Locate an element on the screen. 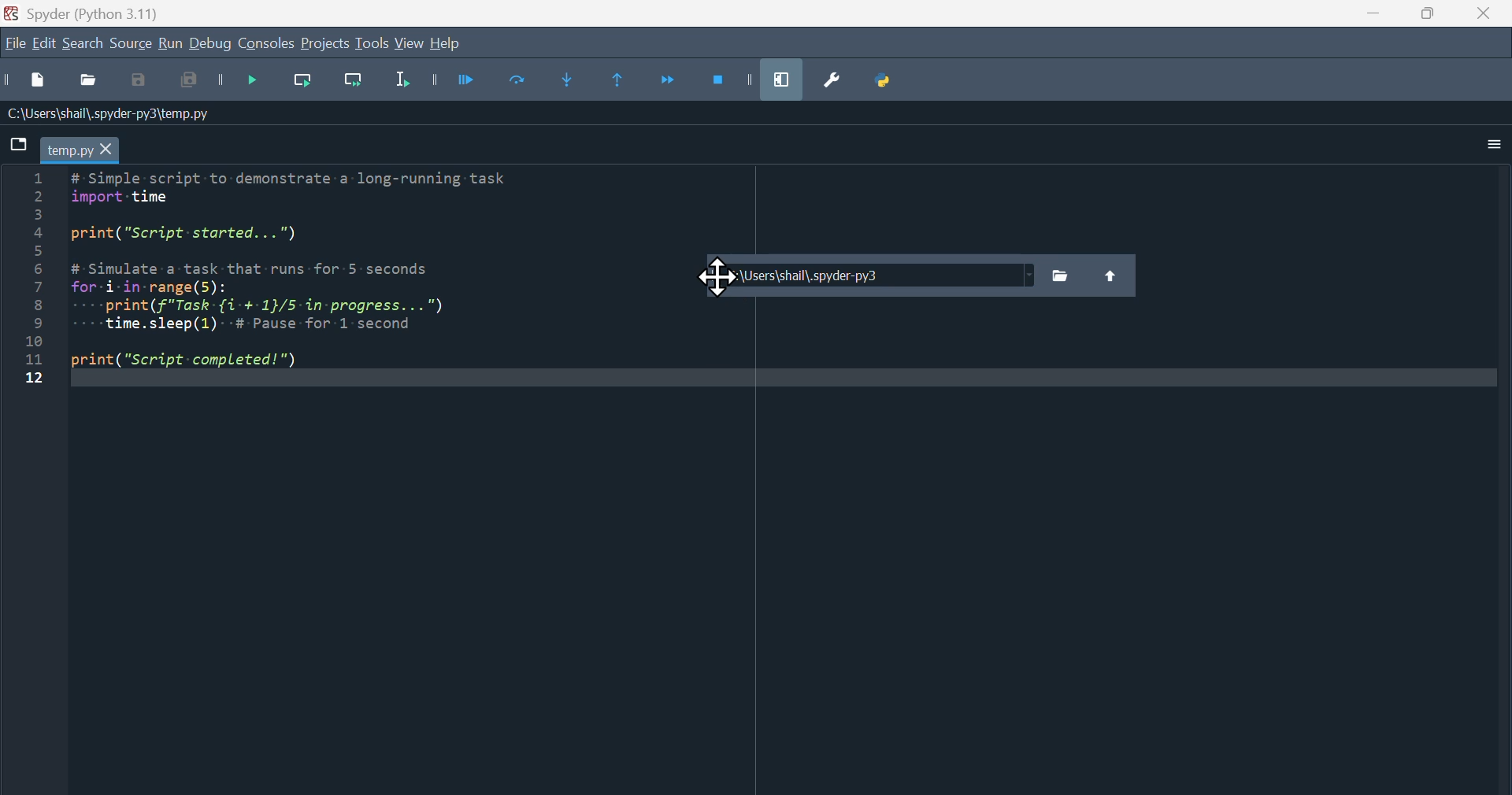 This screenshot has width=1512, height=795. Python path manager is located at coordinates (888, 79).